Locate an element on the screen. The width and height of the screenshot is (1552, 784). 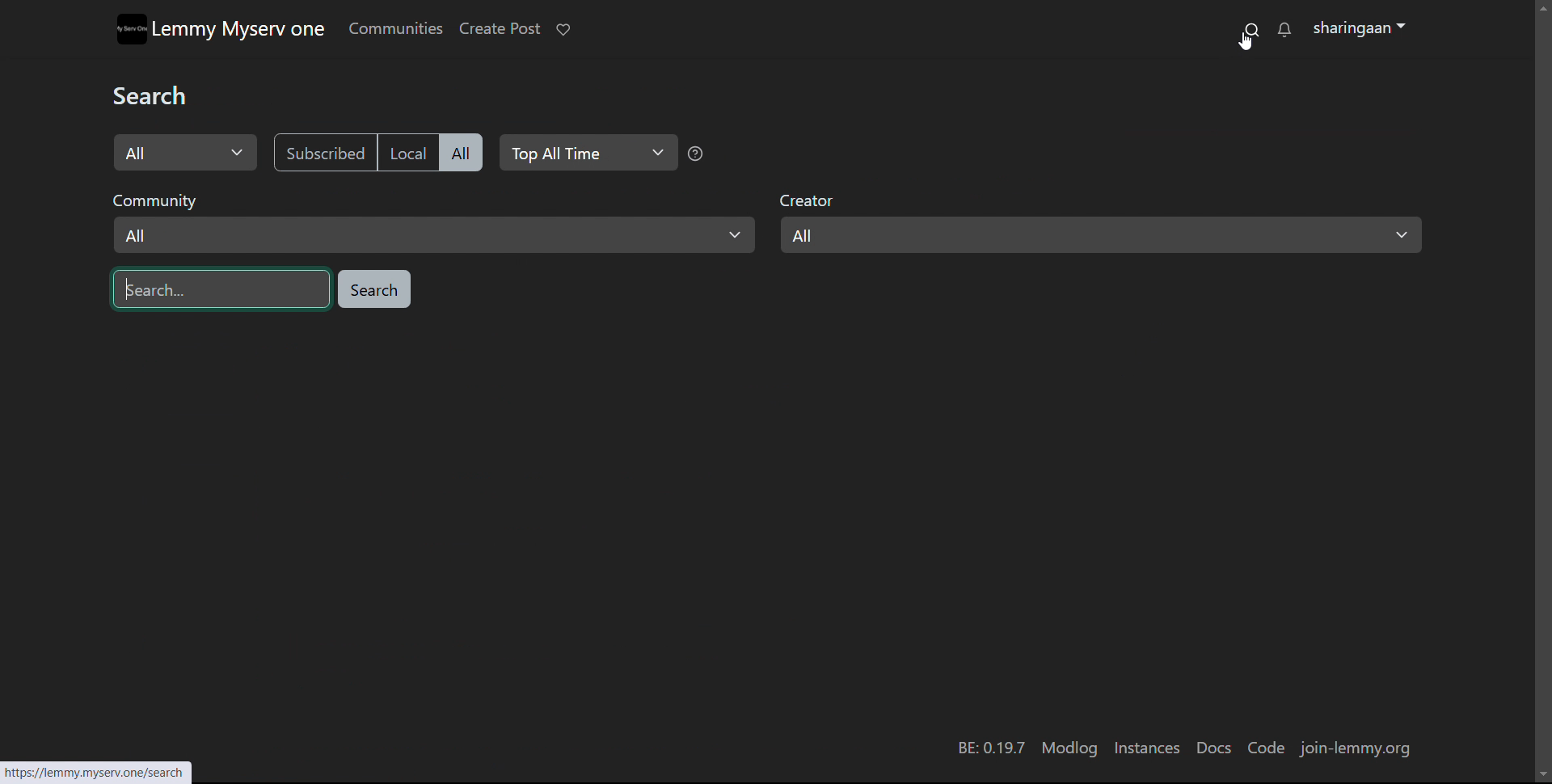
sharingaan(profile) is located at coordinates (1362, 28).